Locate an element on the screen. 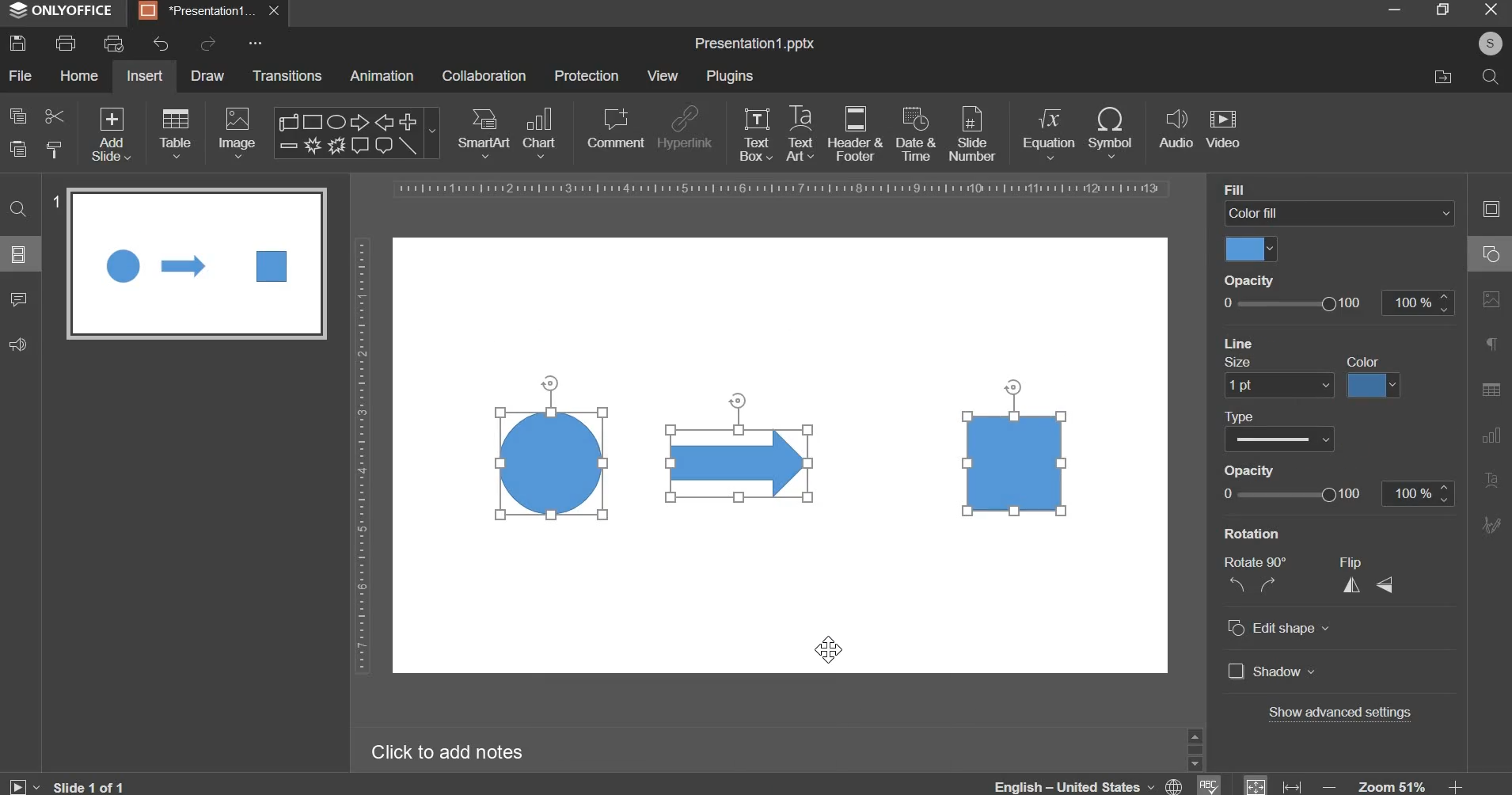  maximize is located at coordinates (1442, 9).